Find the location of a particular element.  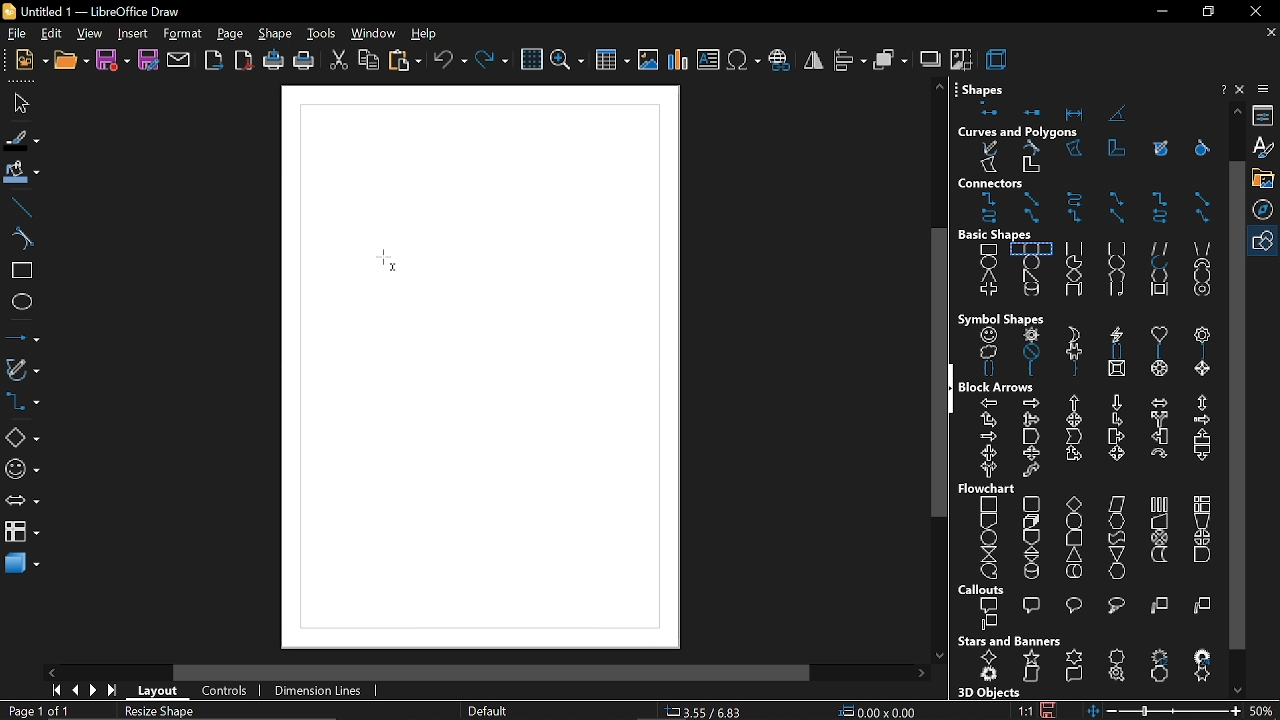

close is located at coordinates (1242, 89).